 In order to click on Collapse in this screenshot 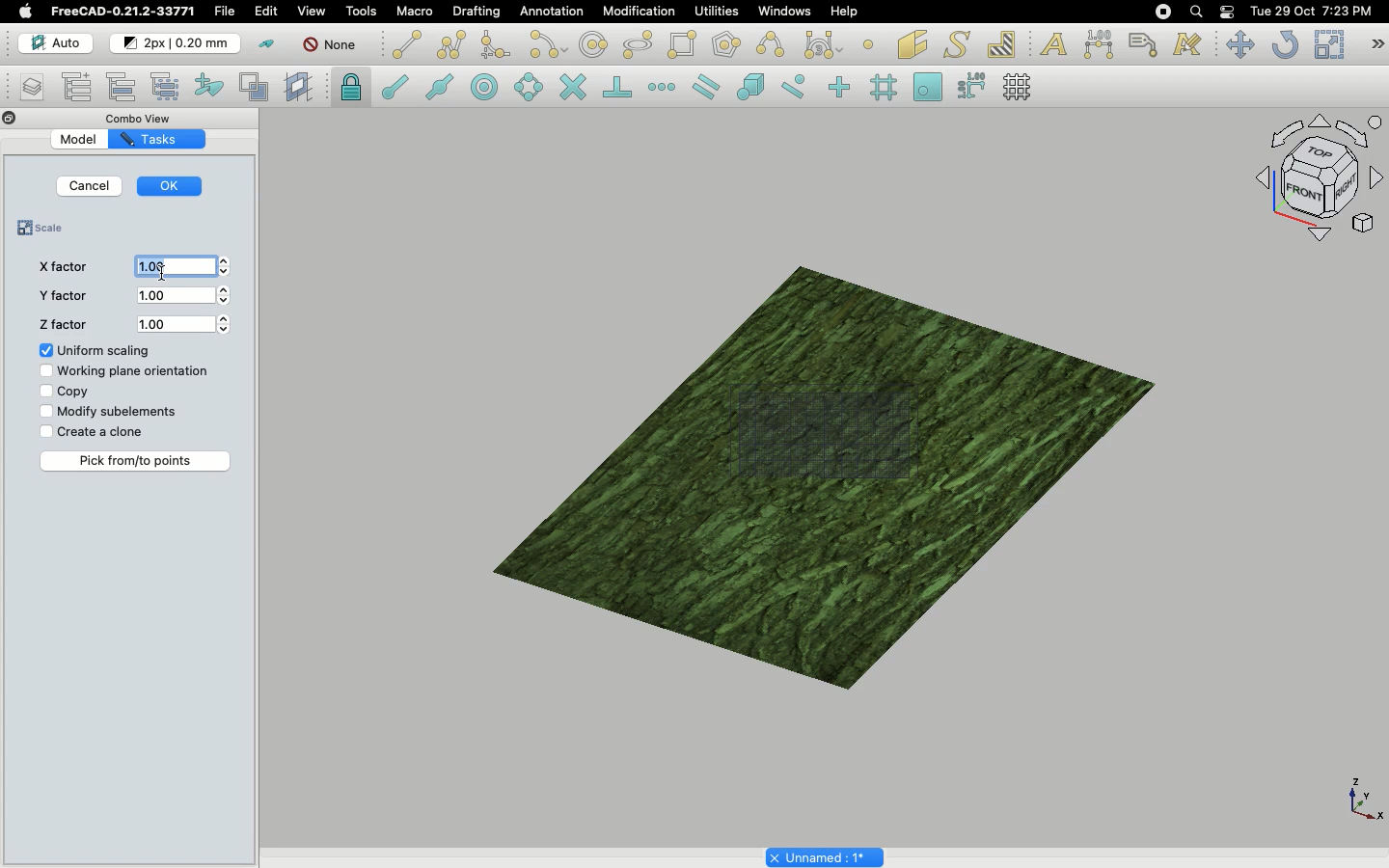, I will do `click(27, 119)`.